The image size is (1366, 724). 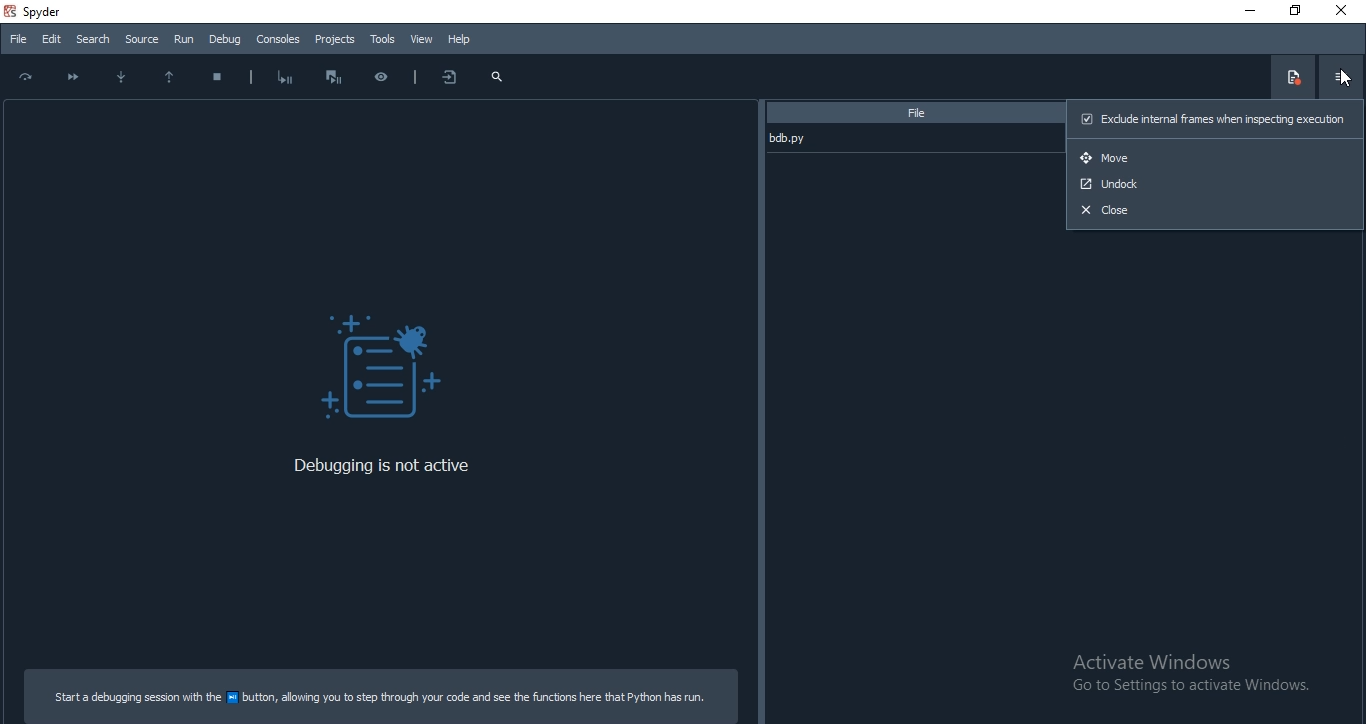 I want to click on Show breakpoint, so click(x=1292, y=77).